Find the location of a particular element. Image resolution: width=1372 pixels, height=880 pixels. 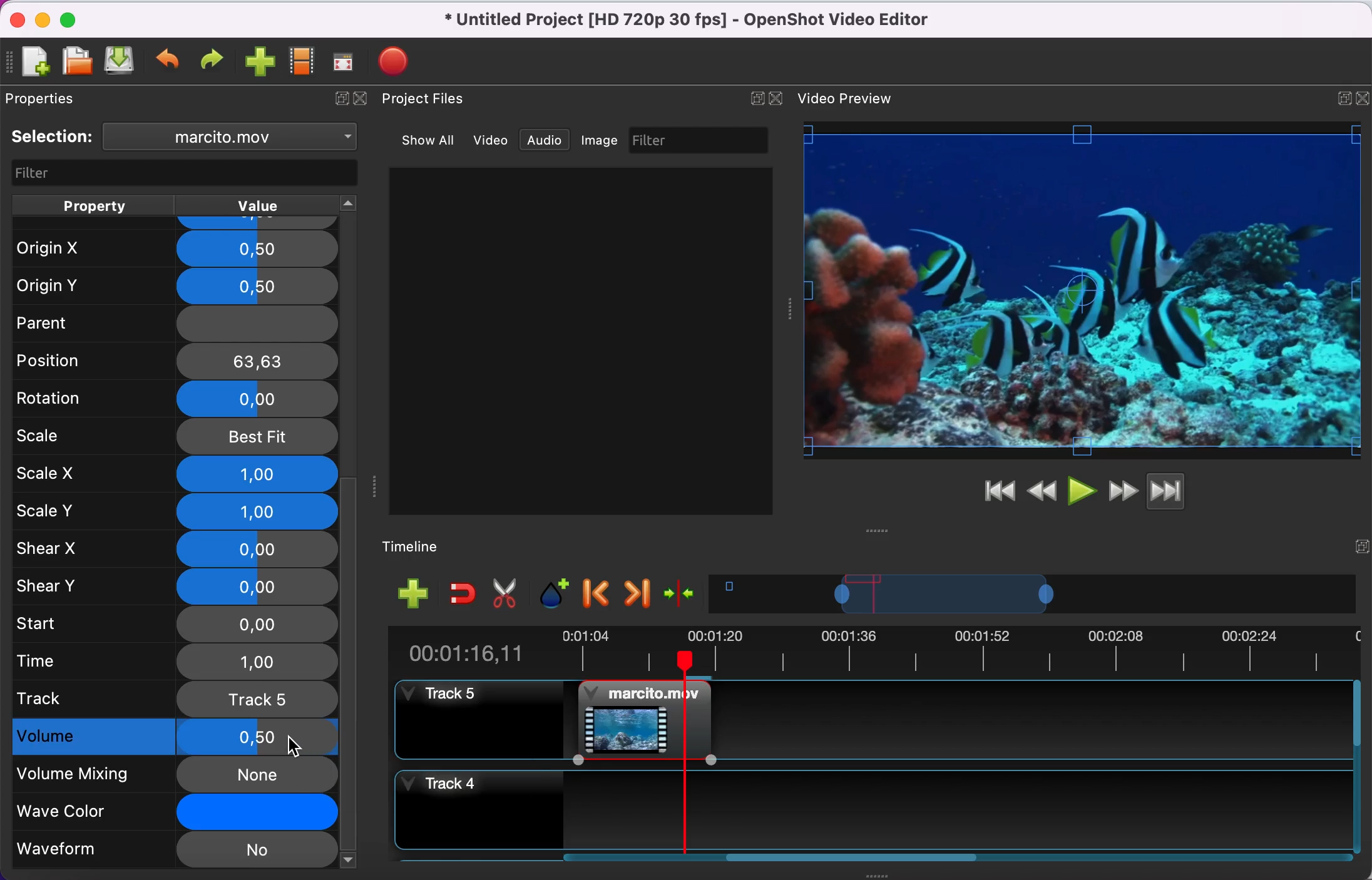

maximize is located at coordinates (76, 18).